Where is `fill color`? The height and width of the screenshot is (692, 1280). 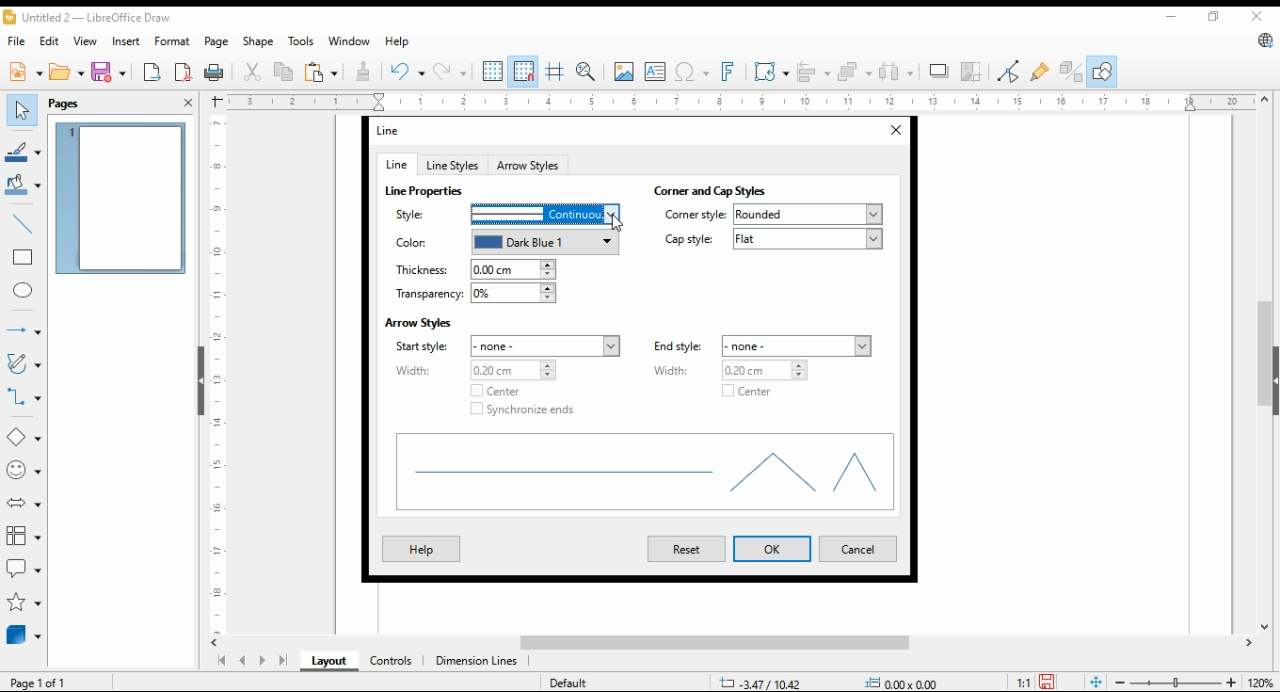
fill color is located at coordinates (23, 183).